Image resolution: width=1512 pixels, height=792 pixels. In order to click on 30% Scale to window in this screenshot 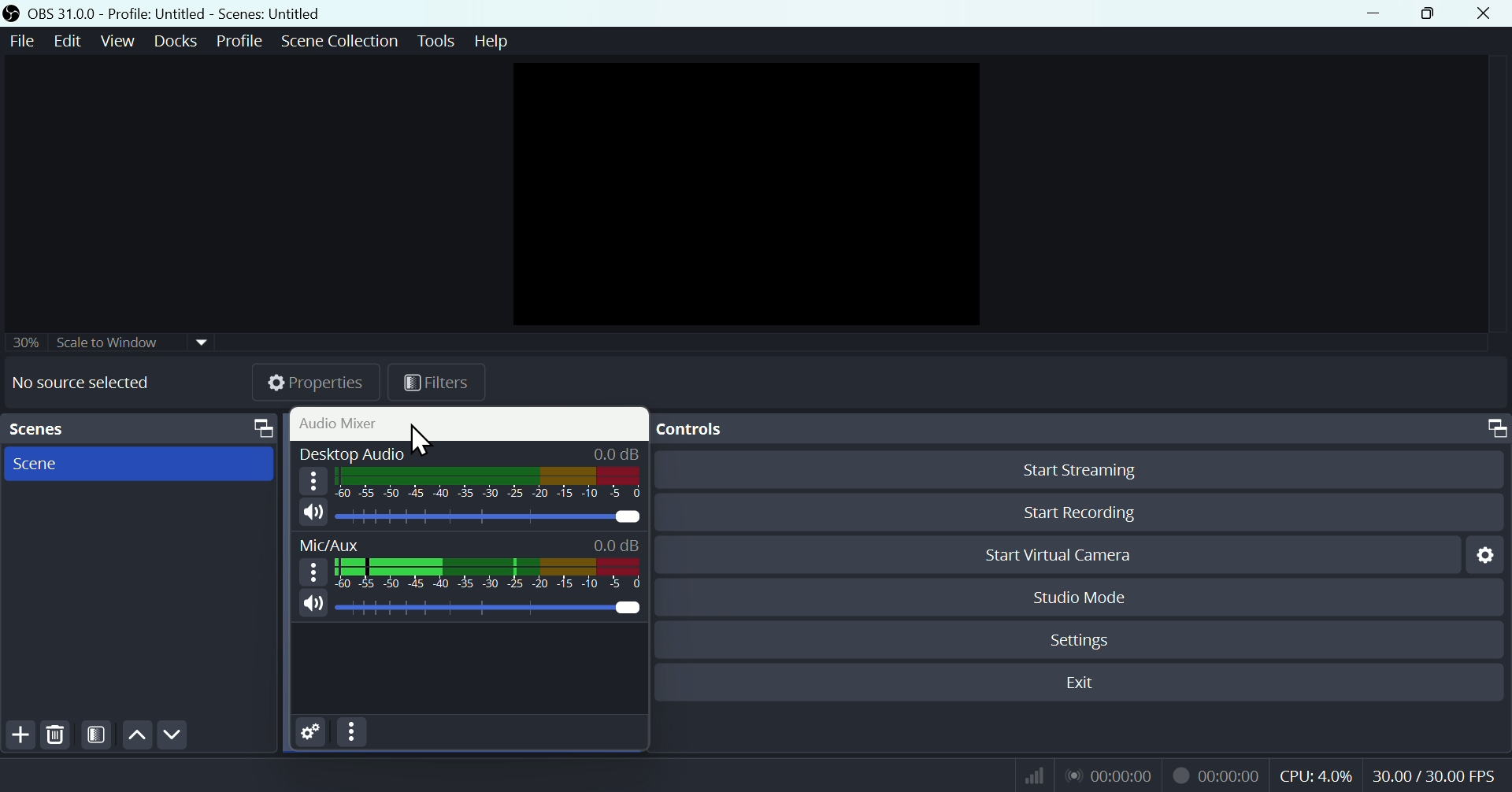, I will do `click(113, 345)`.